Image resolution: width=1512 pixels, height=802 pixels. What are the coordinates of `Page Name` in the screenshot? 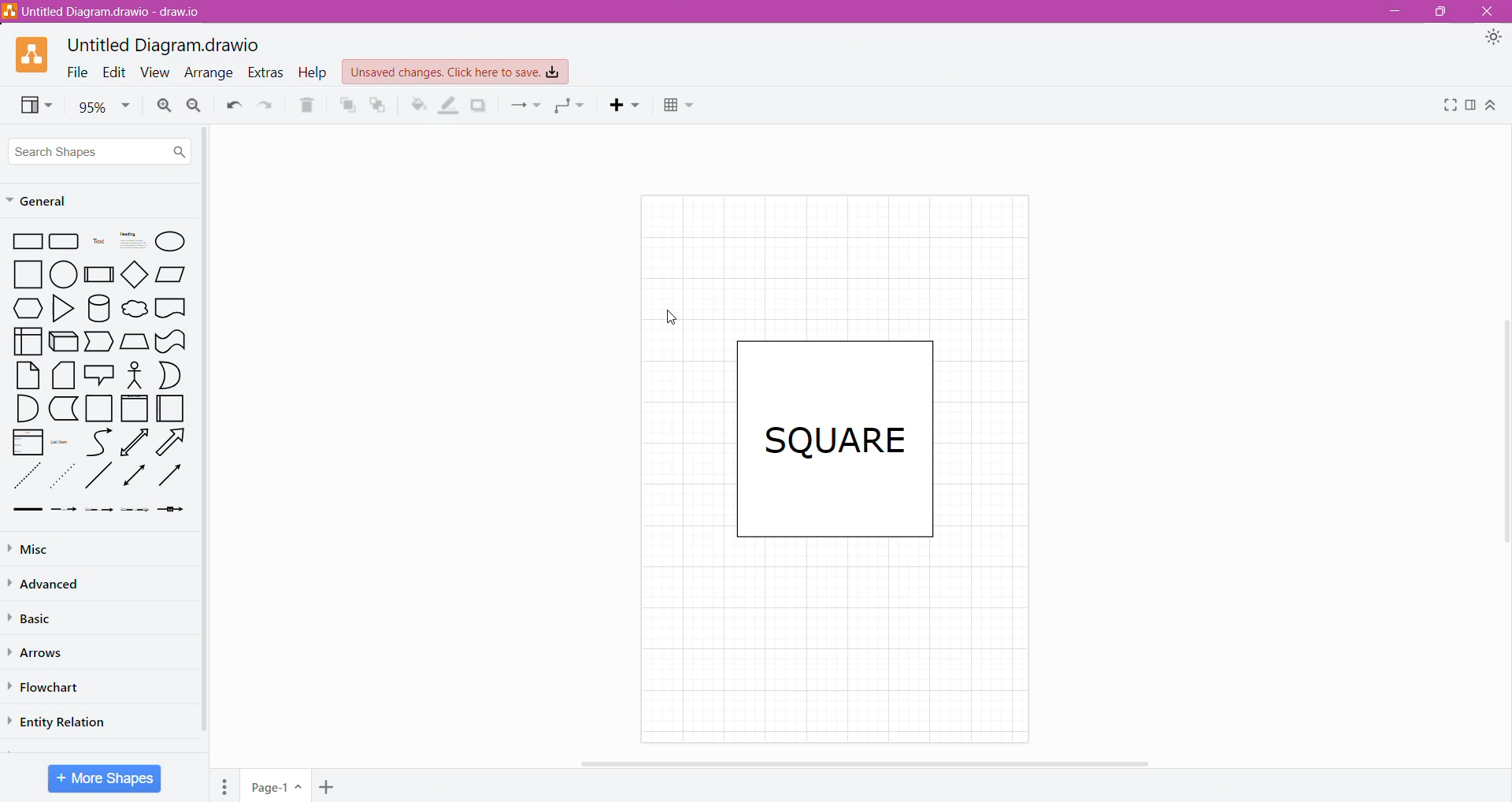 It's located at (275, 788).